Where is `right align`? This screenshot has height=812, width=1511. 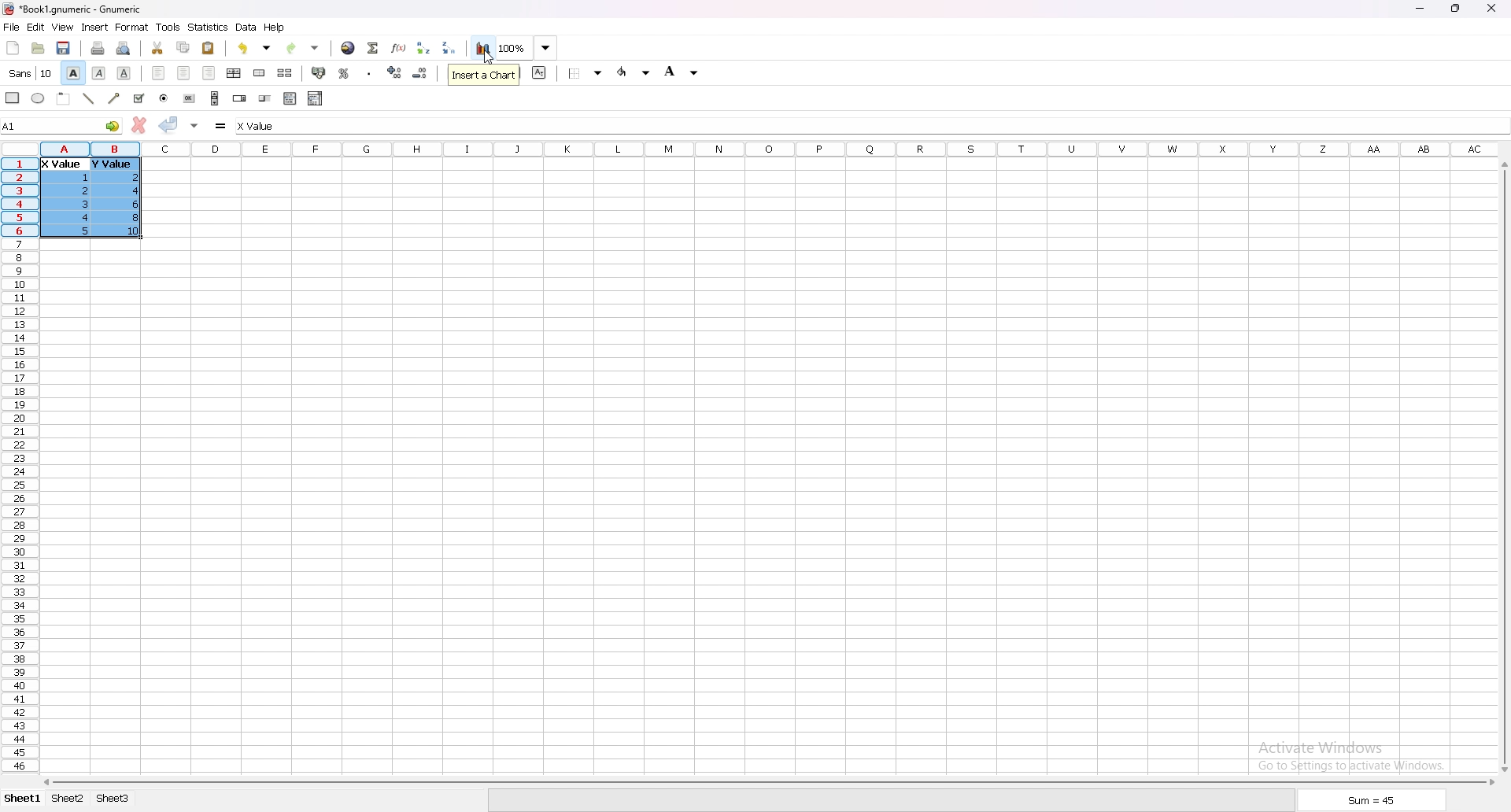 right align is located at coordinates (209, 73).